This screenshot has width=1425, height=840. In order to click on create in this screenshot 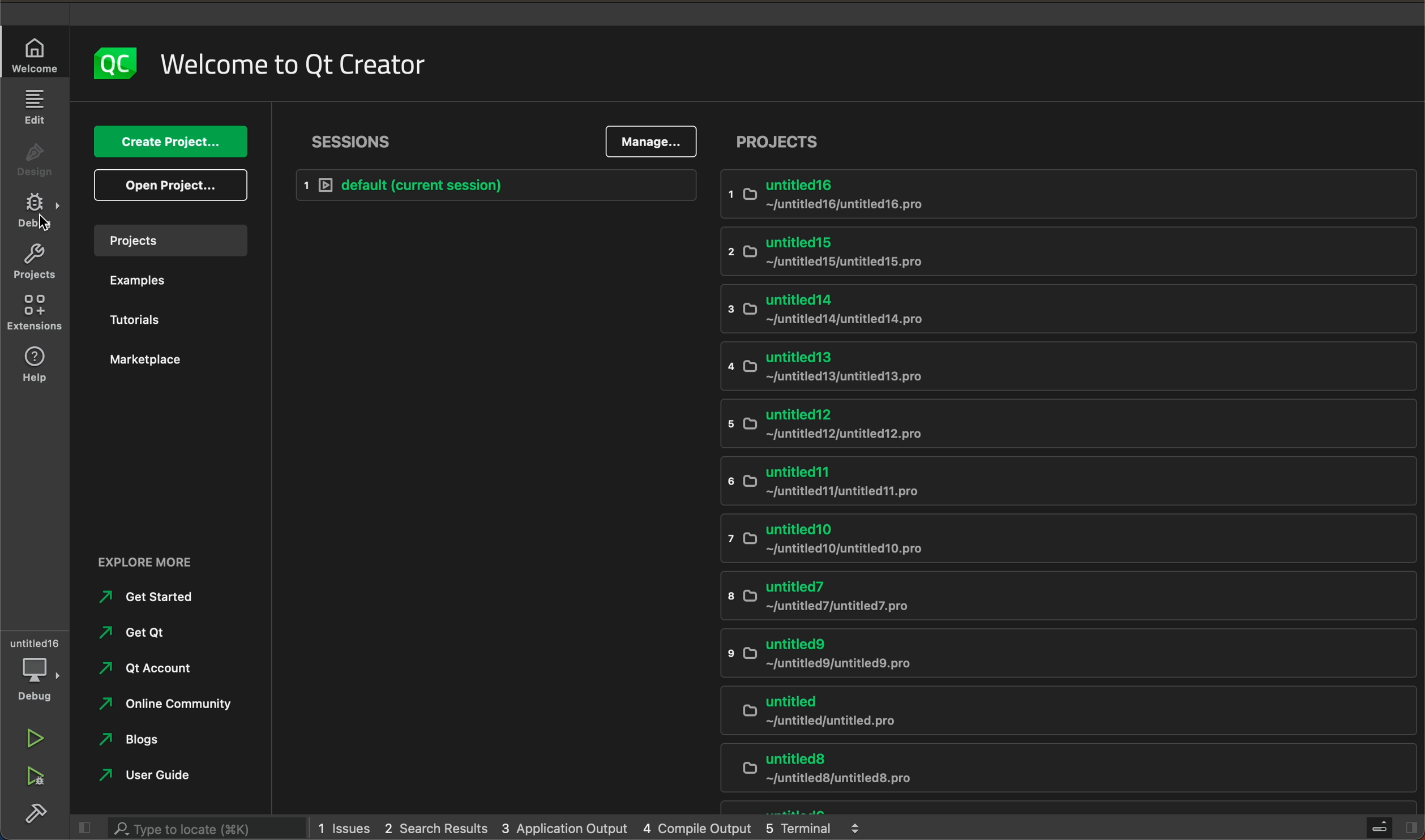, I will do `click(172, 143)`.